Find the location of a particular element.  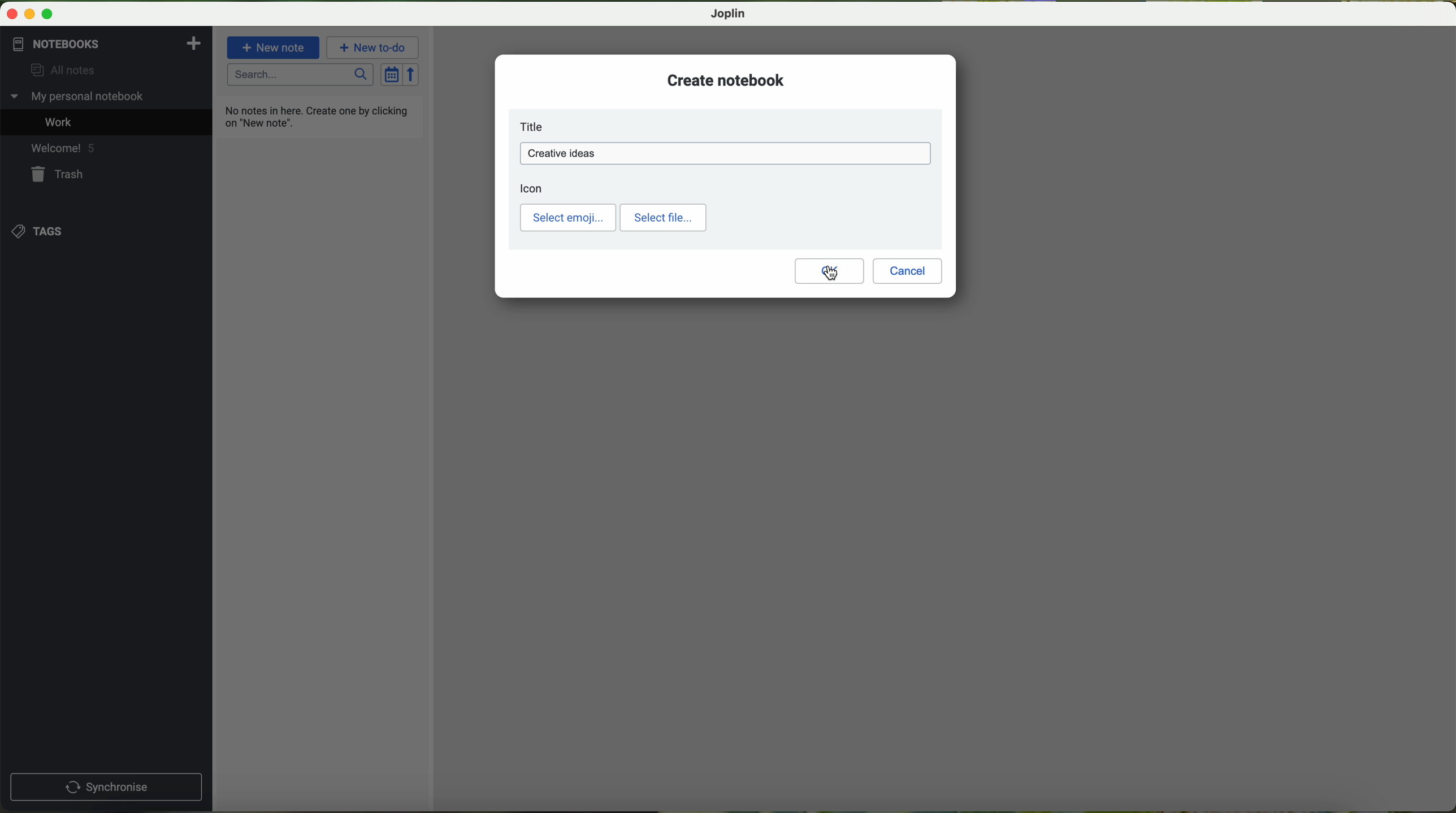

creative ideas - title is located at coordinates (728, 154).